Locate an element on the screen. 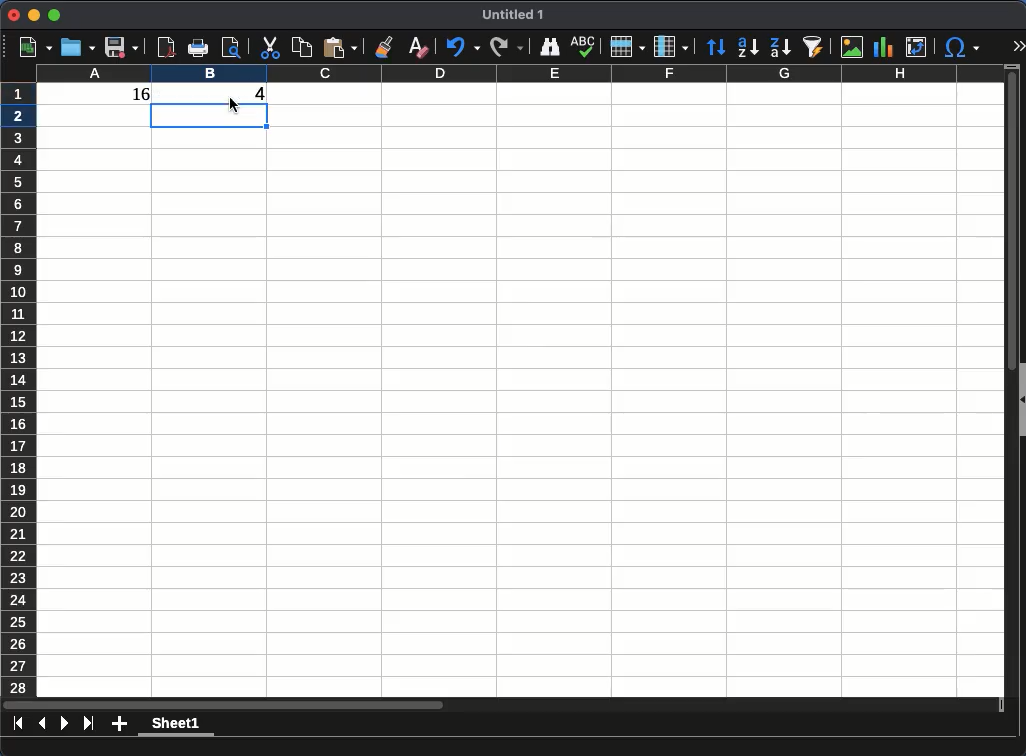  print is located at coordinates (198, 49).